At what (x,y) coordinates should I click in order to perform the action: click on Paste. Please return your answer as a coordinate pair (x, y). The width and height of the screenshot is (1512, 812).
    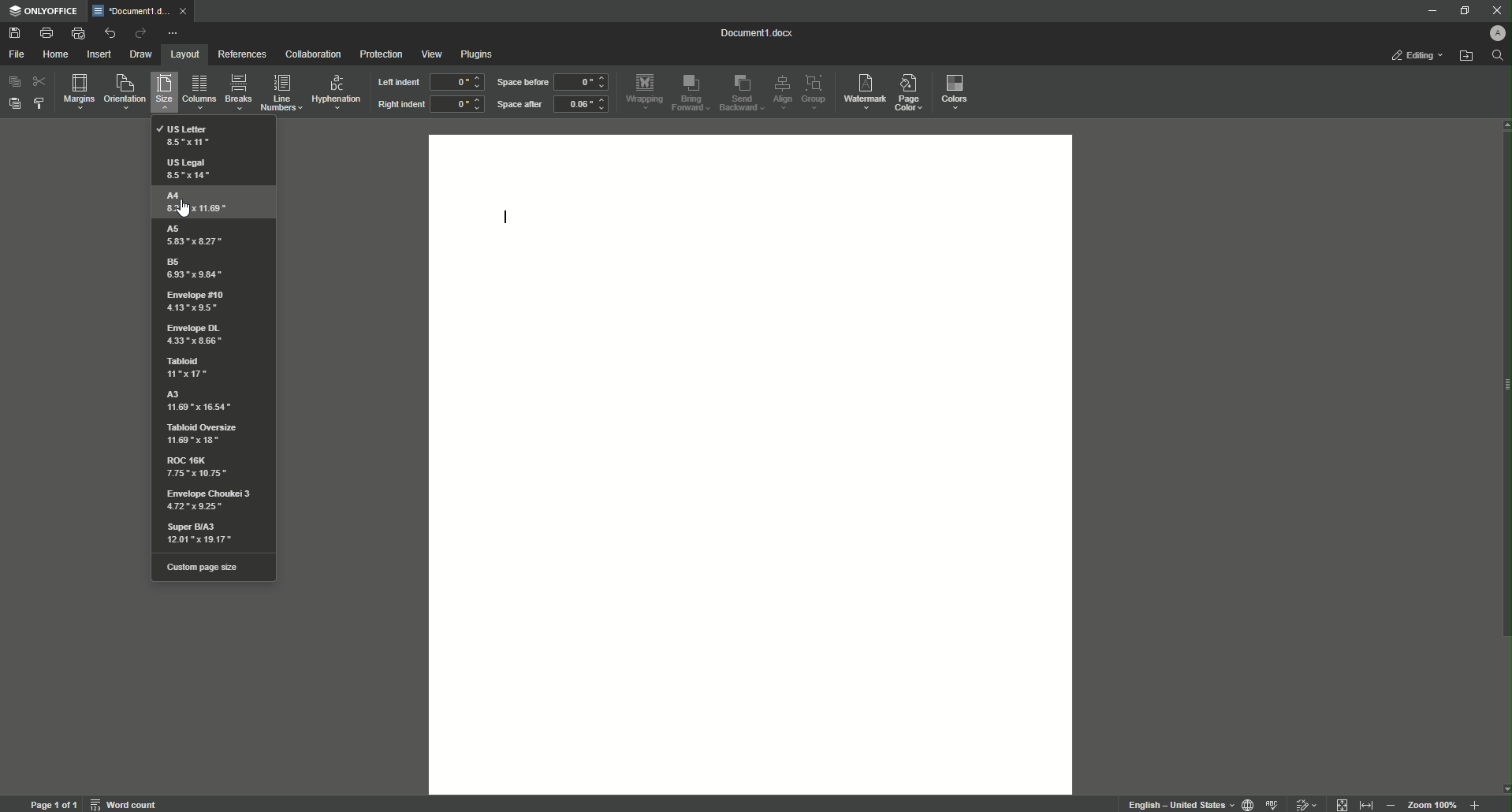
    Looking at the image, I should click on (16, 106).